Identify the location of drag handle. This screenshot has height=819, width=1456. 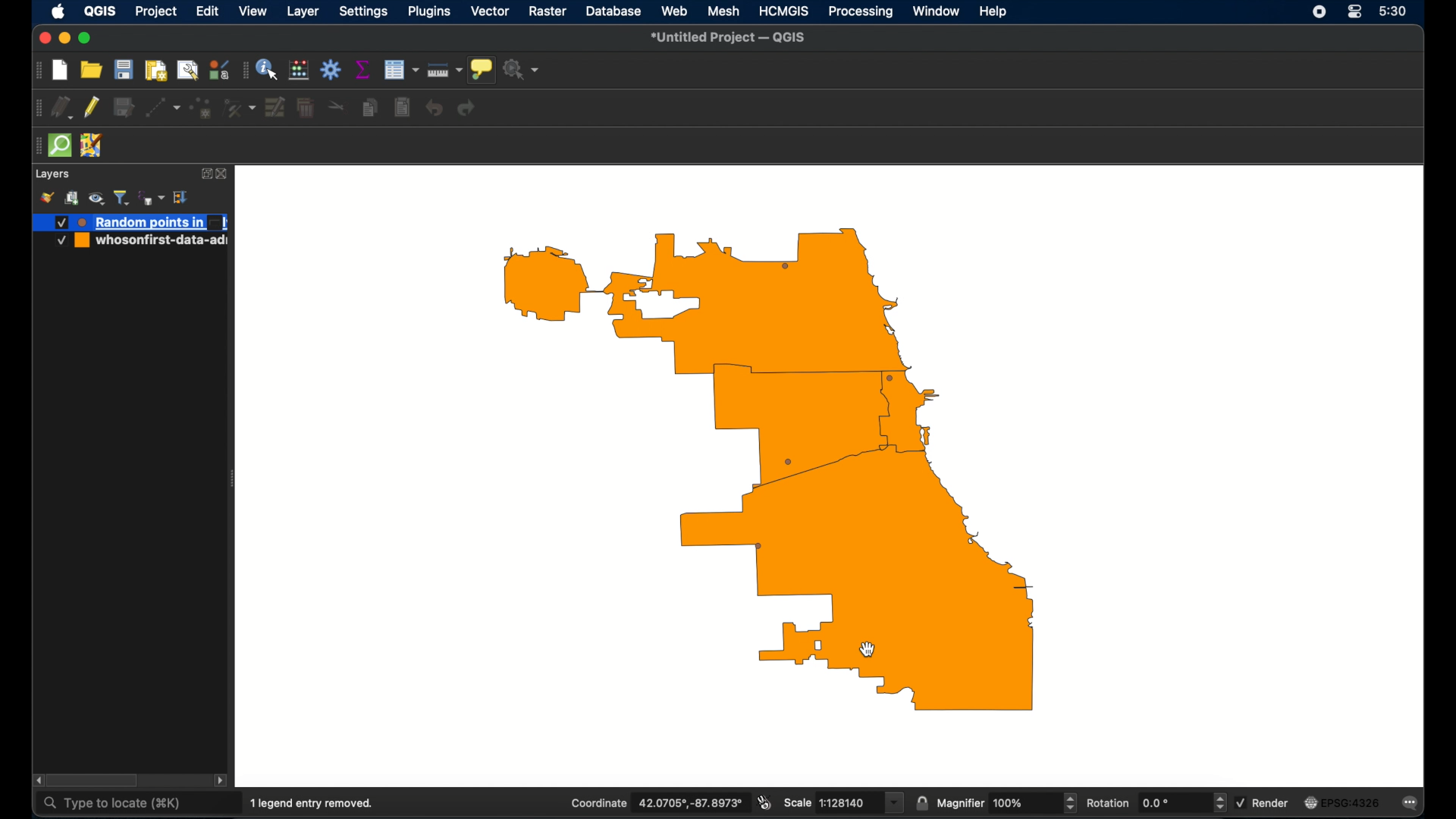
(243, 70).